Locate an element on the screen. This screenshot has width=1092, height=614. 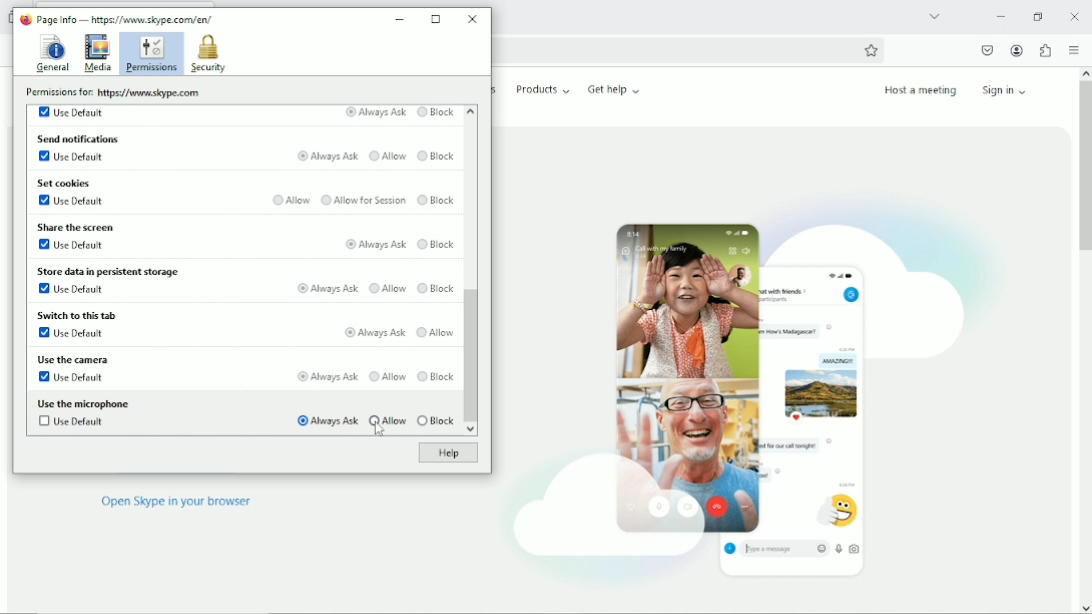
Block is located at coordinates (436, 376).